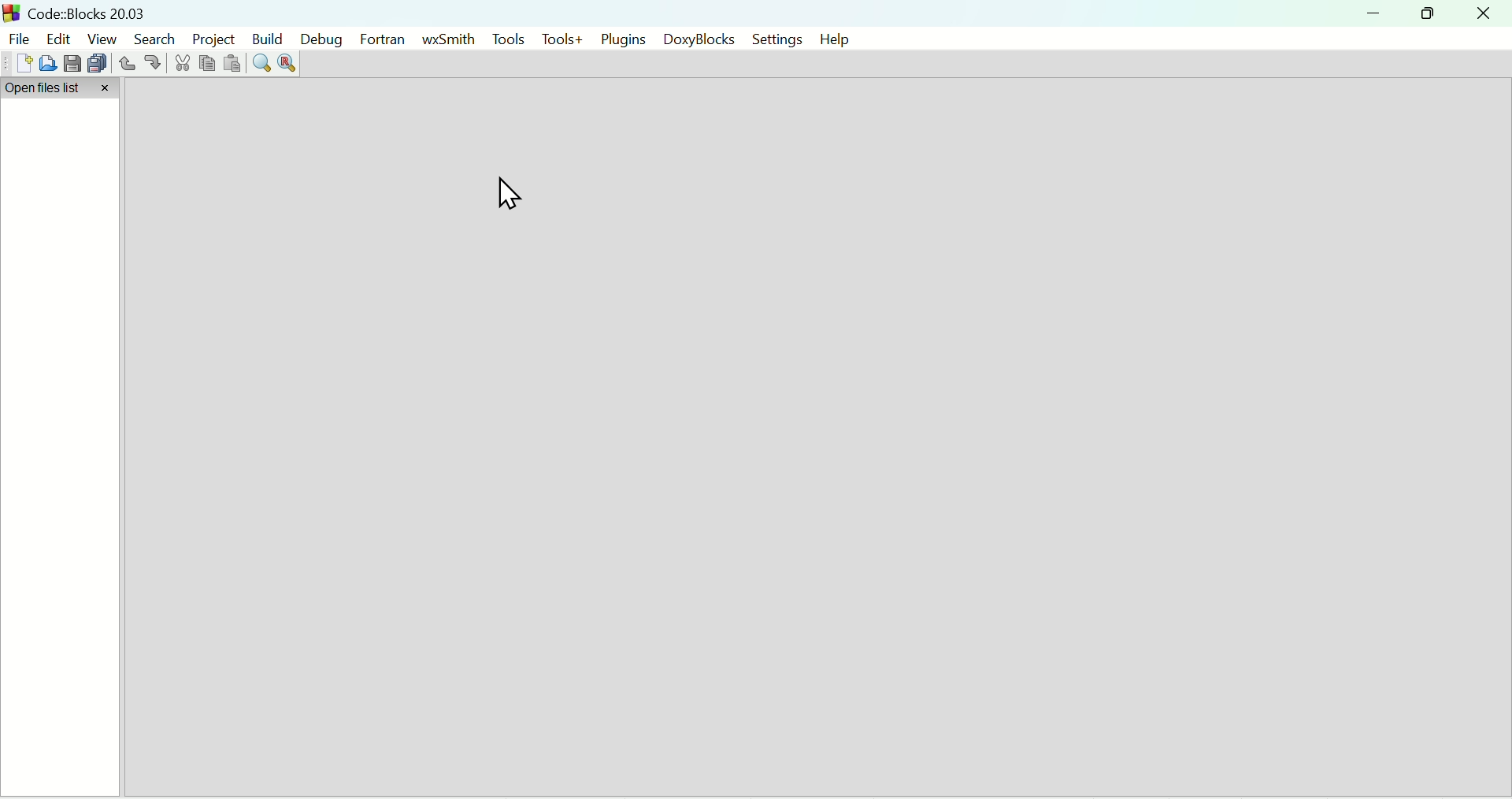  I want to click on Undo, so click(128, 63).